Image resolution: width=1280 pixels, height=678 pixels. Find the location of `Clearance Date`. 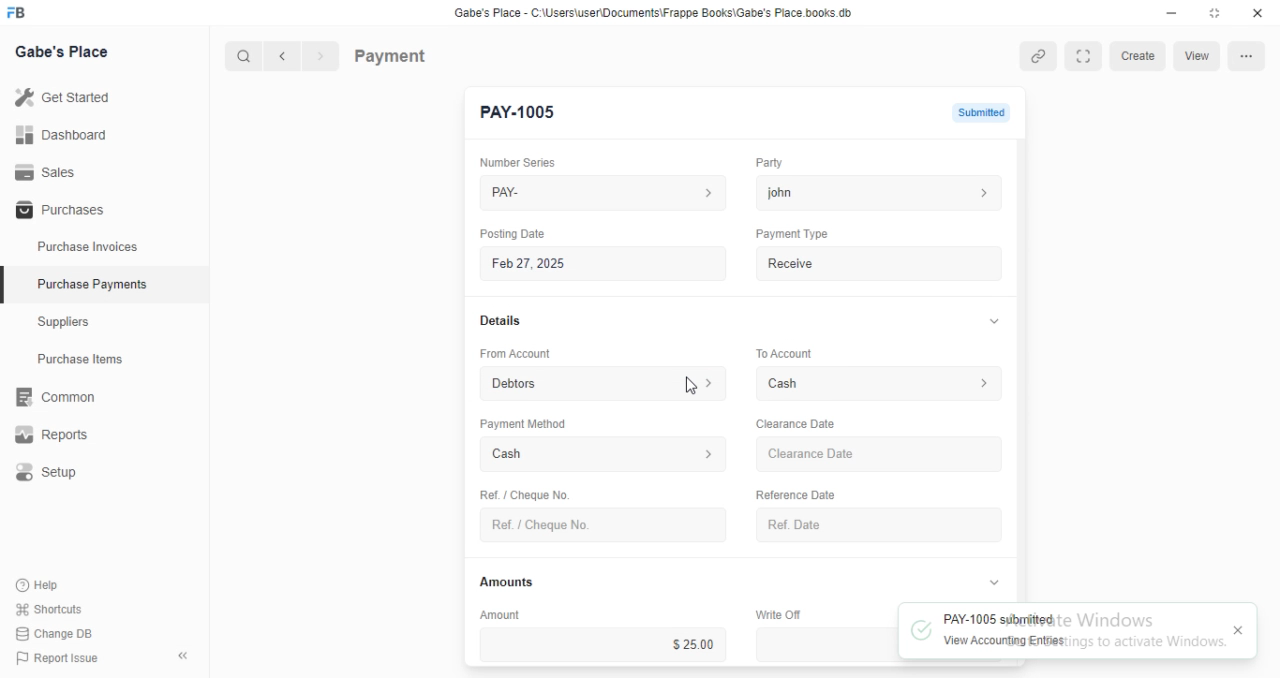

Clearance Date is located at coordinates (794, 424).